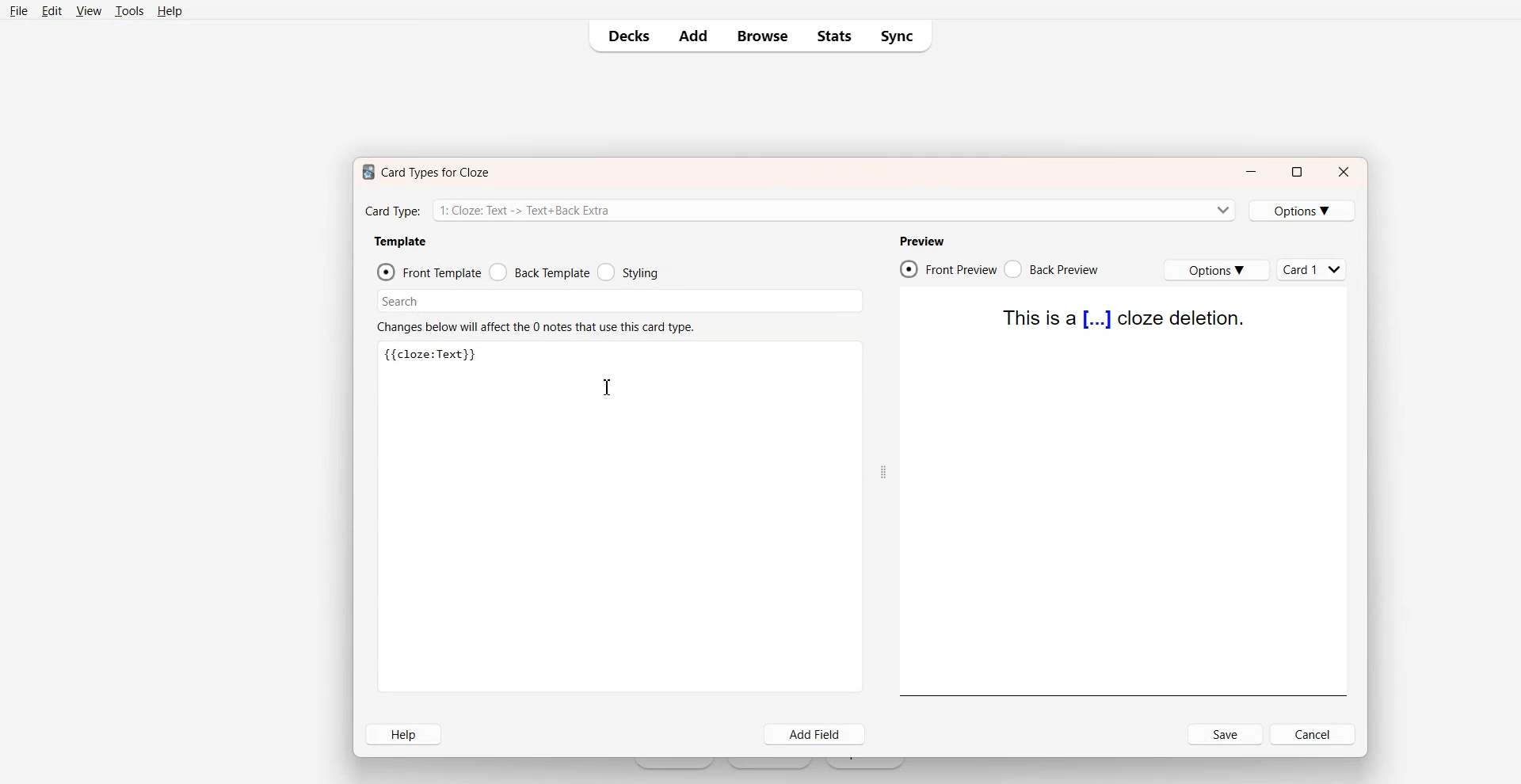  Describe the element at coordinates (1313, 269) in the screenshot. I see `Cards` at that location.